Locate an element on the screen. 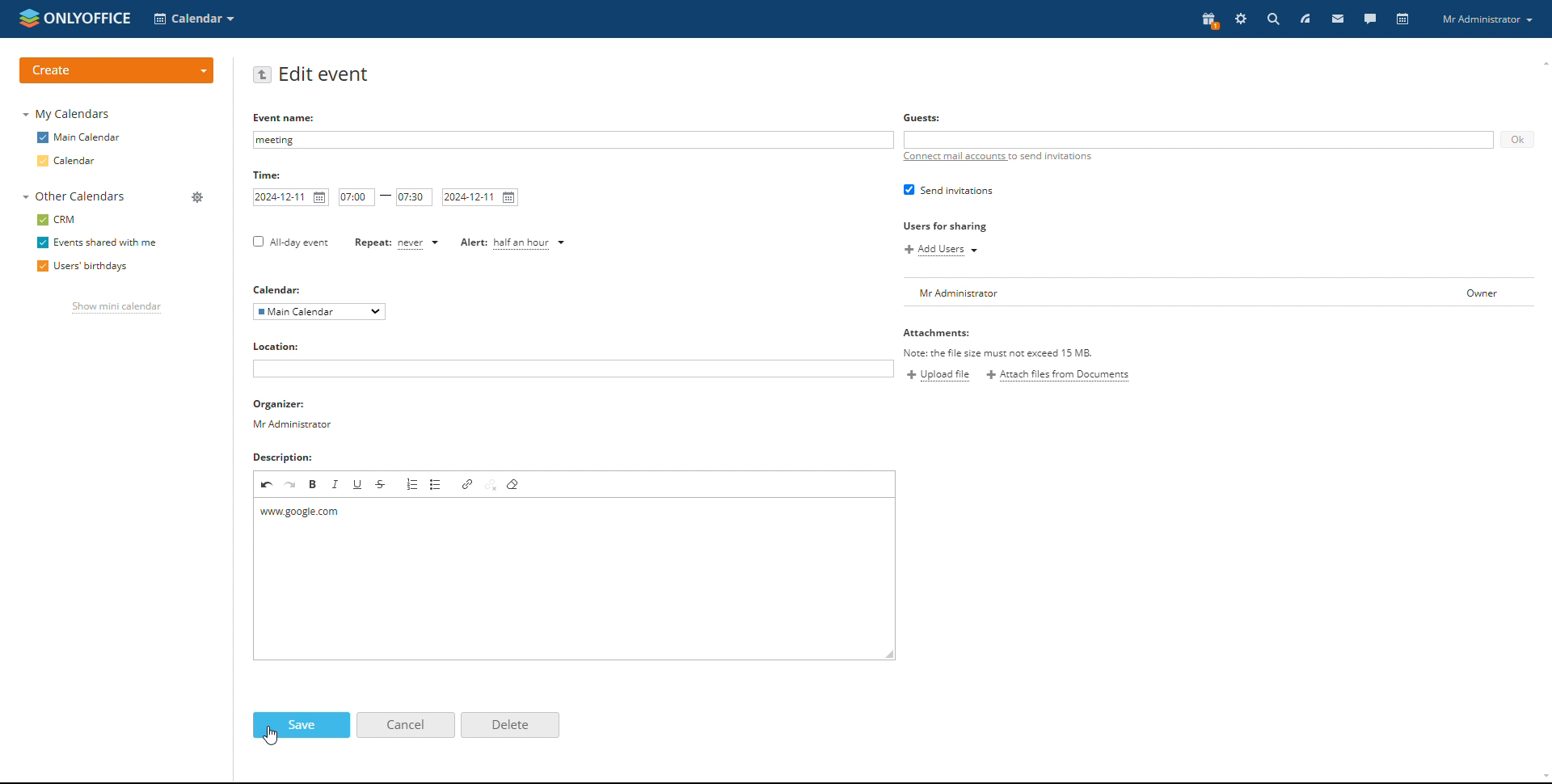 The height and width of the screenshot is (784, 1552). create is located at coordinates (116, 70).